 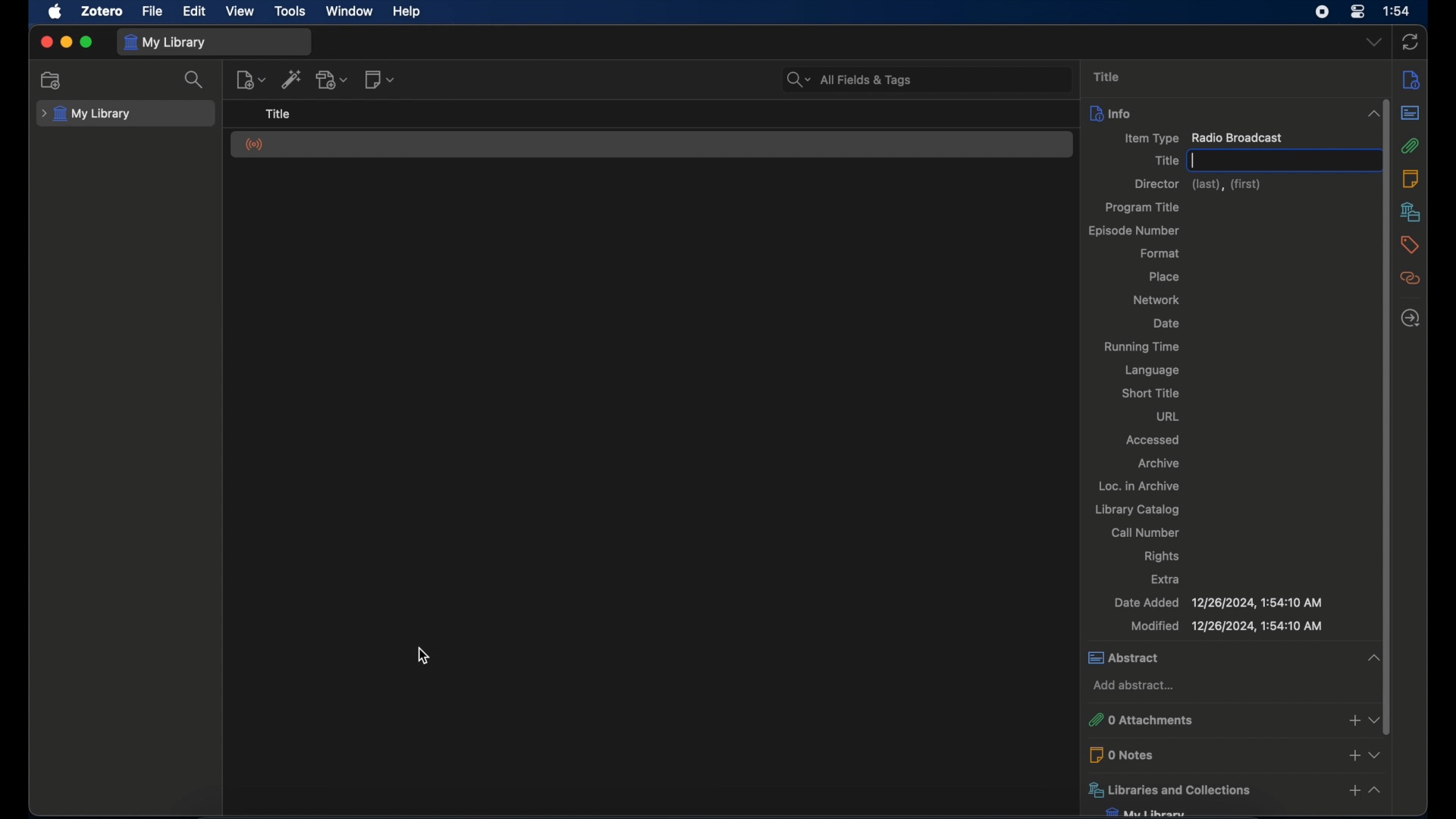 I want to click on new collection, so click(x=51, y=80).